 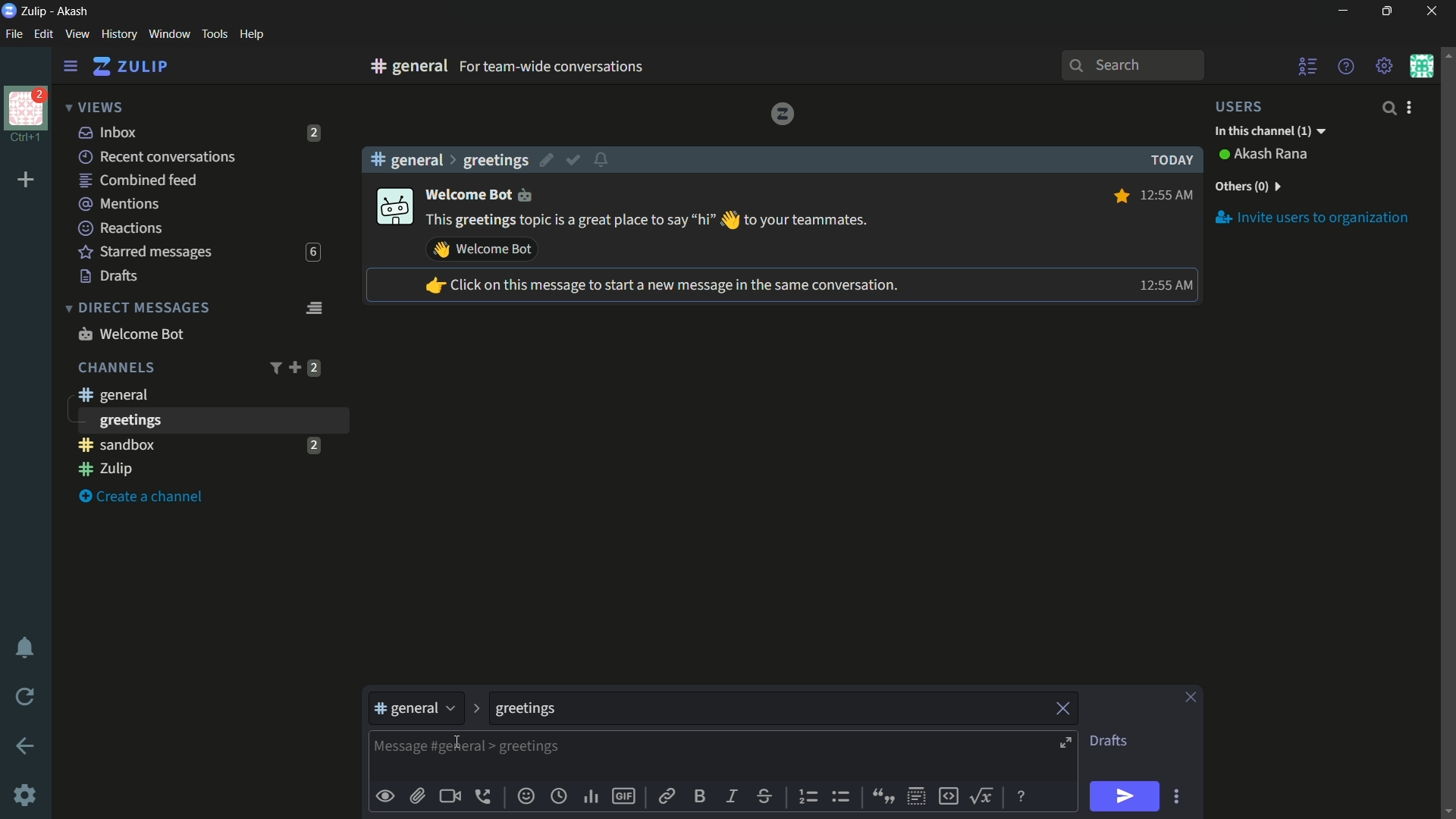 What do you see at coordinates (130, 67) in the screenshot?
I see `zulip` at bounding box center [130, 67].